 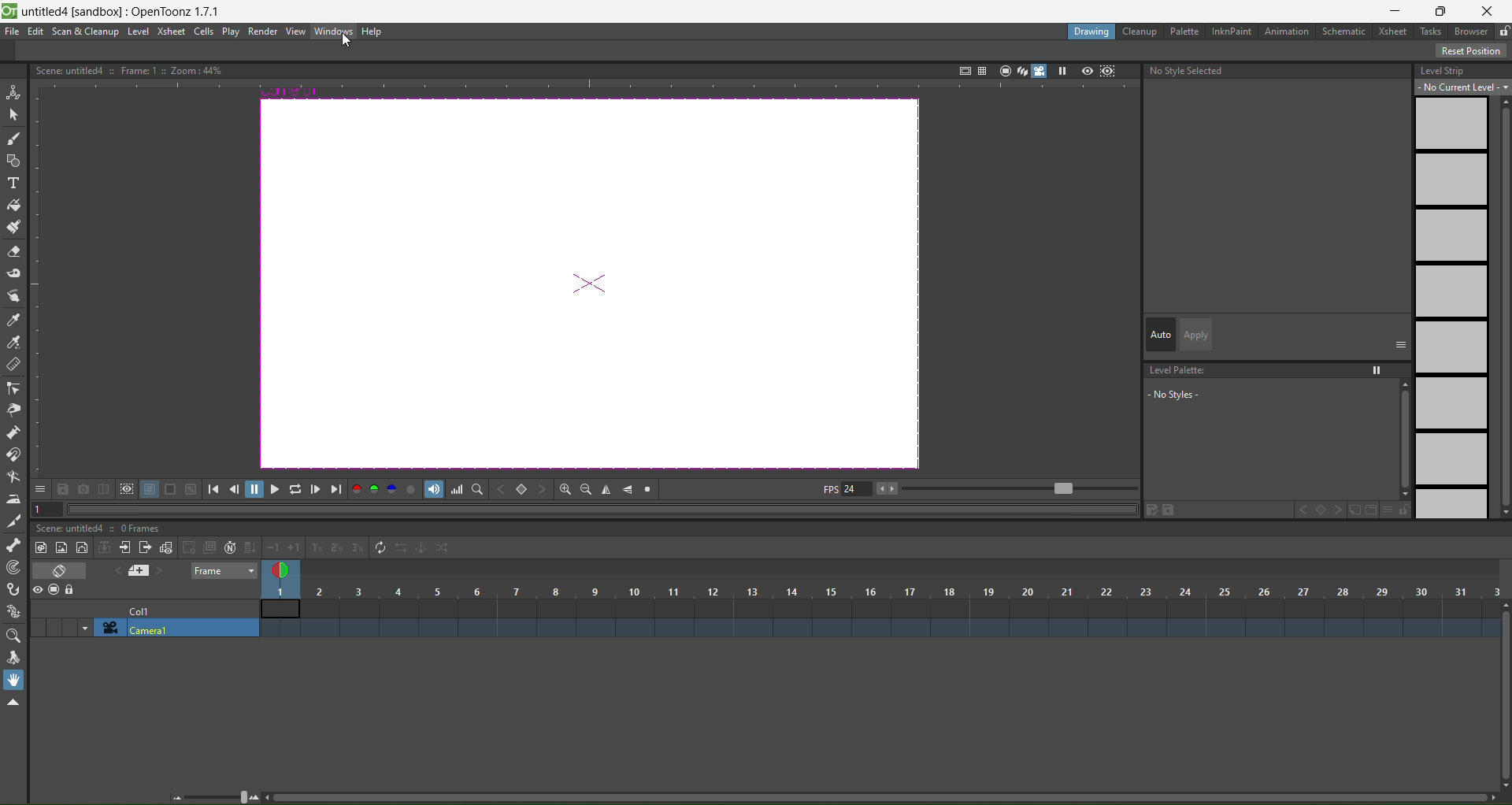 What do you see at coordinates (1161, 336) in the screenshot?
I see `auto` at bounding box center [1161, 336].